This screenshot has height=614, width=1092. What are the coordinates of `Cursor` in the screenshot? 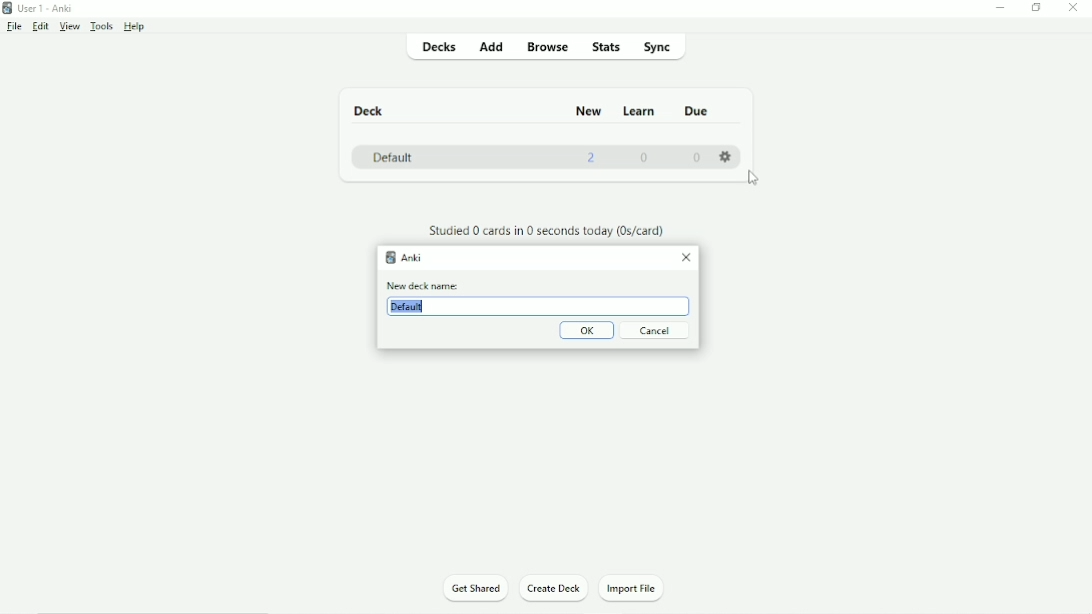 It's located at (756, 178).